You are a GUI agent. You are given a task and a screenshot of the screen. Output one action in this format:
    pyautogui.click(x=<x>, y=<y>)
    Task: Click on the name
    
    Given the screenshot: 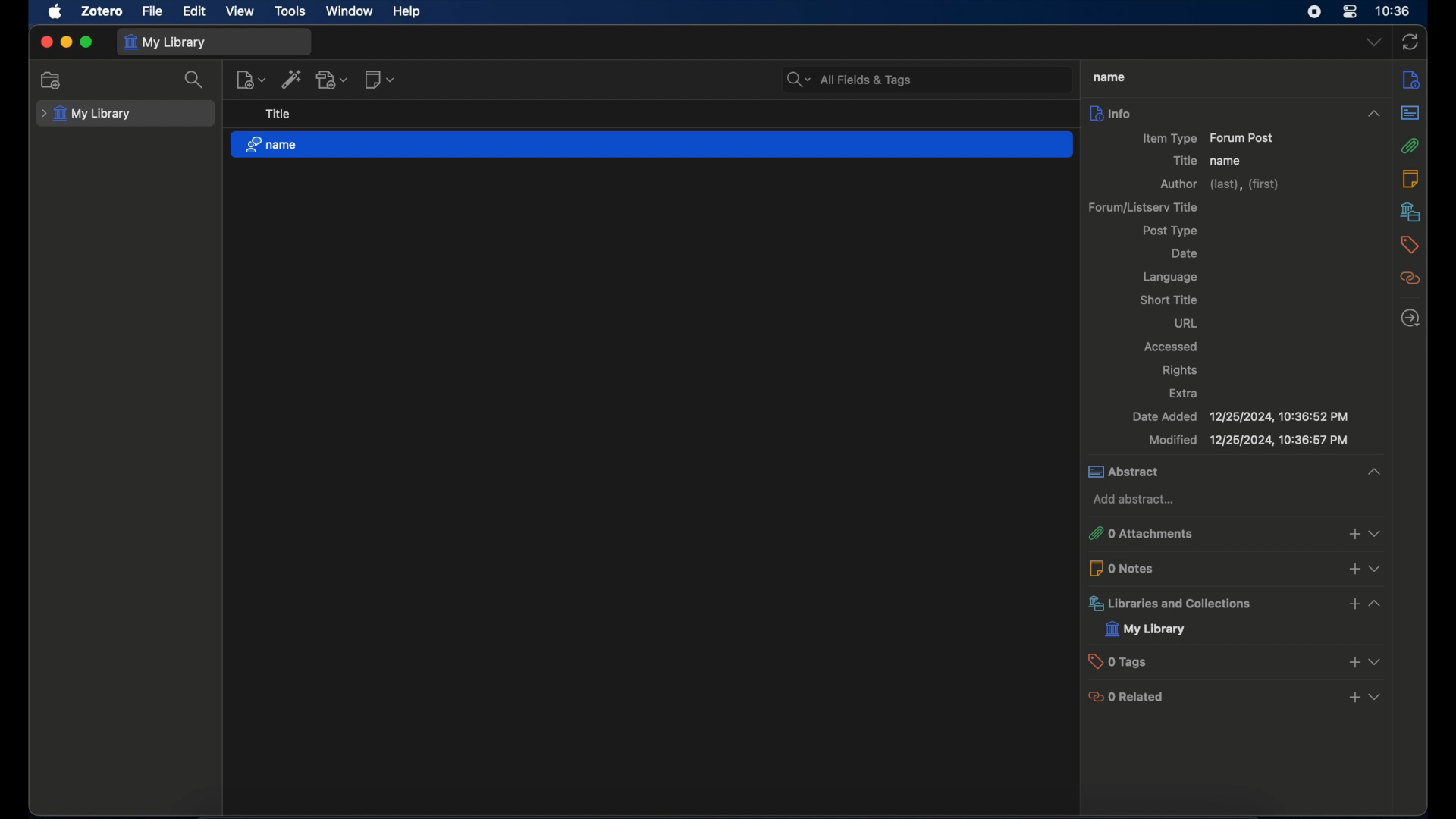 What is the action you would take?
    pyautogui.click(x=1227, y=161)
    